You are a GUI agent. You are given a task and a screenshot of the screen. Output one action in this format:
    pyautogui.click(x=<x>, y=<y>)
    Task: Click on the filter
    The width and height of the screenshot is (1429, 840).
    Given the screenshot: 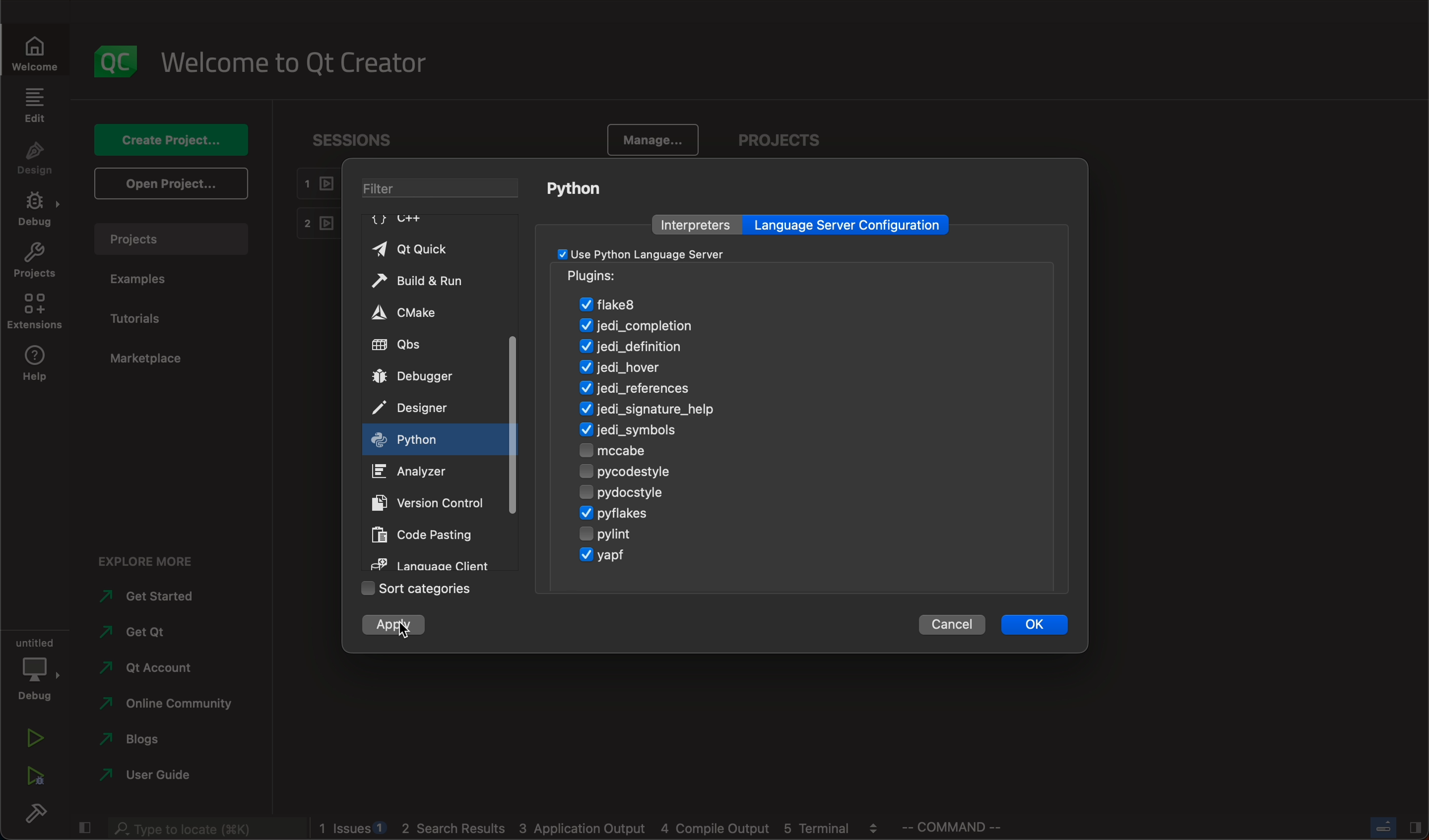 What is the action you would take?
    pyautogui.click(x=443, y=188)
    